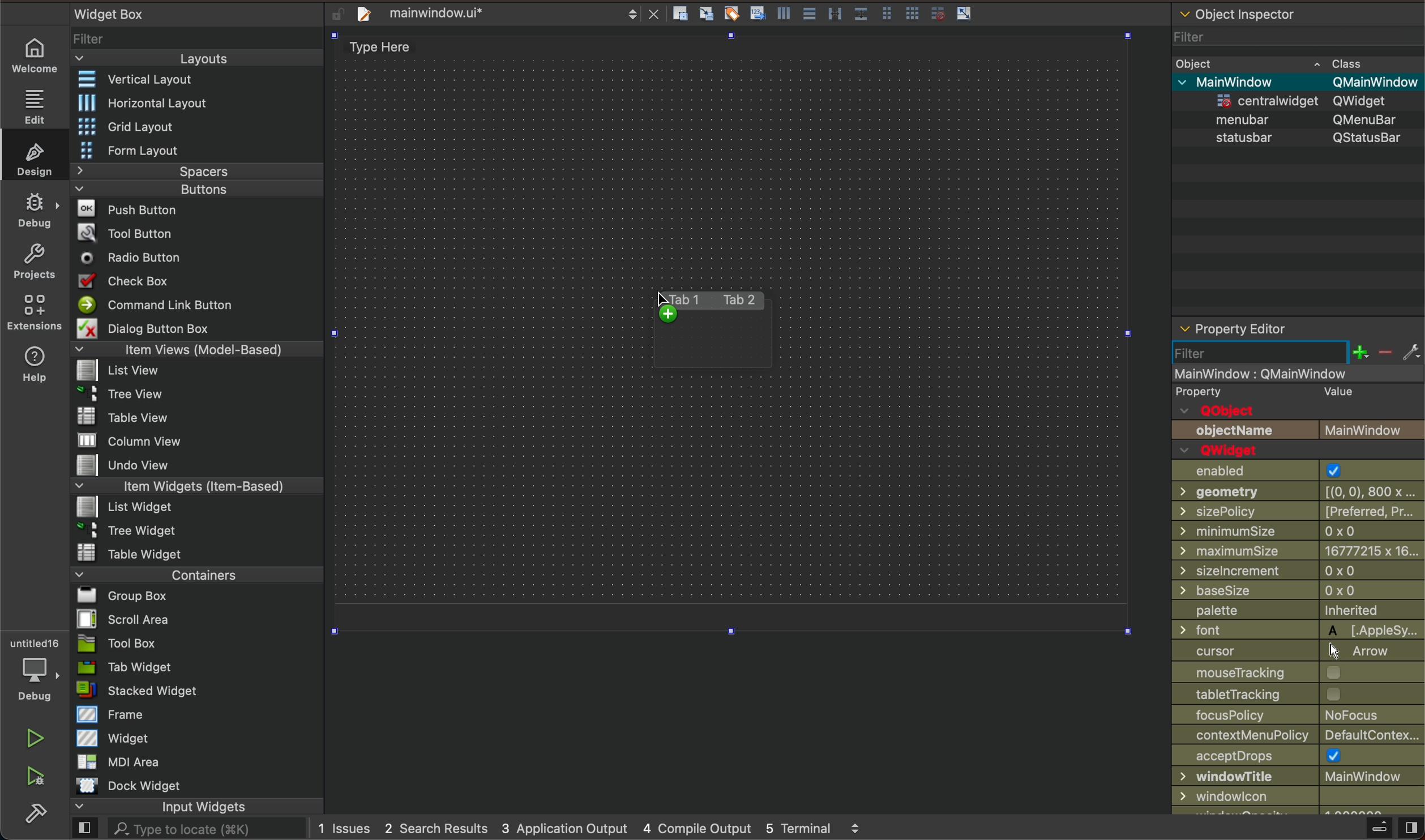  Describe the element at coordinates (1299, 511) in the screenshot. I see `size policy` at that location.